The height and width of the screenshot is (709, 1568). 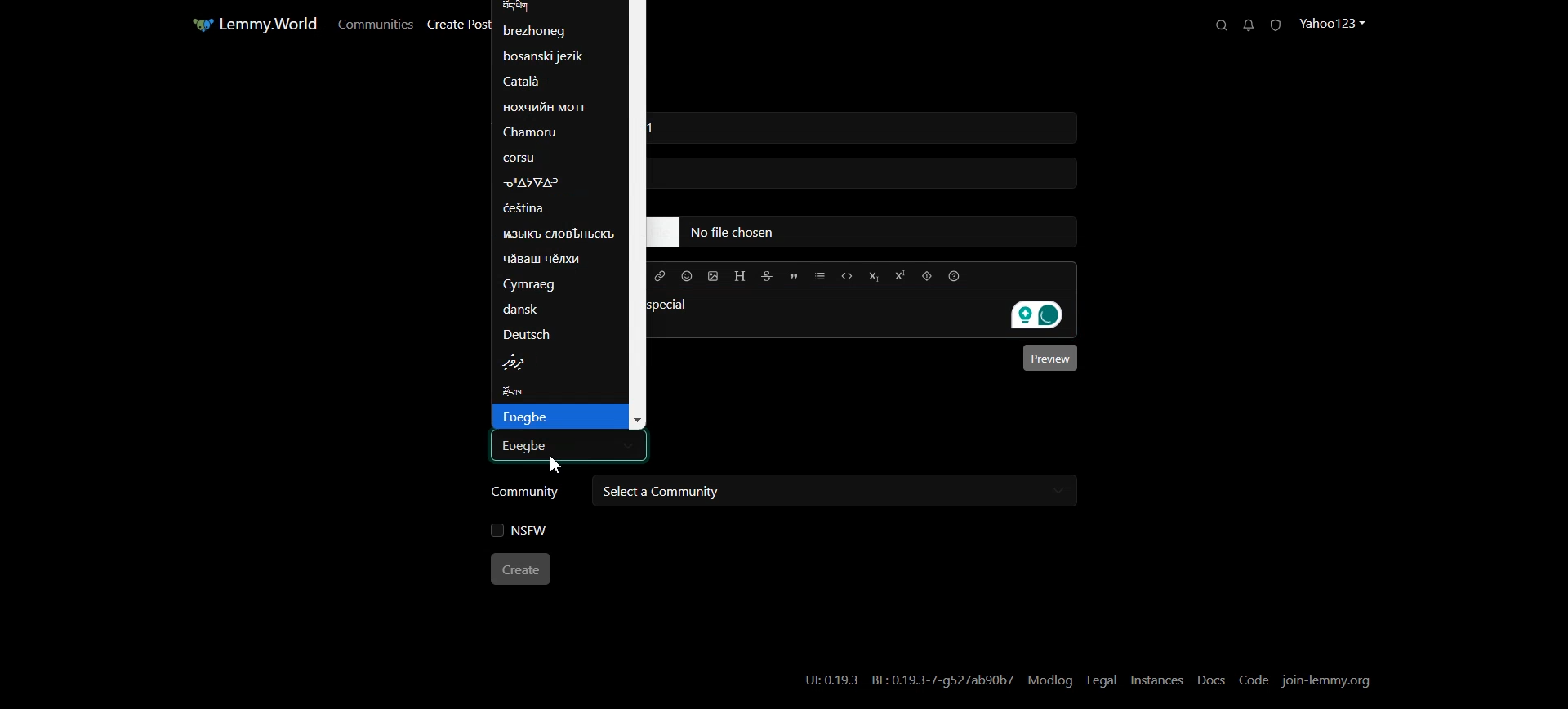 I want to click on Text, so click(x=565, y=444).